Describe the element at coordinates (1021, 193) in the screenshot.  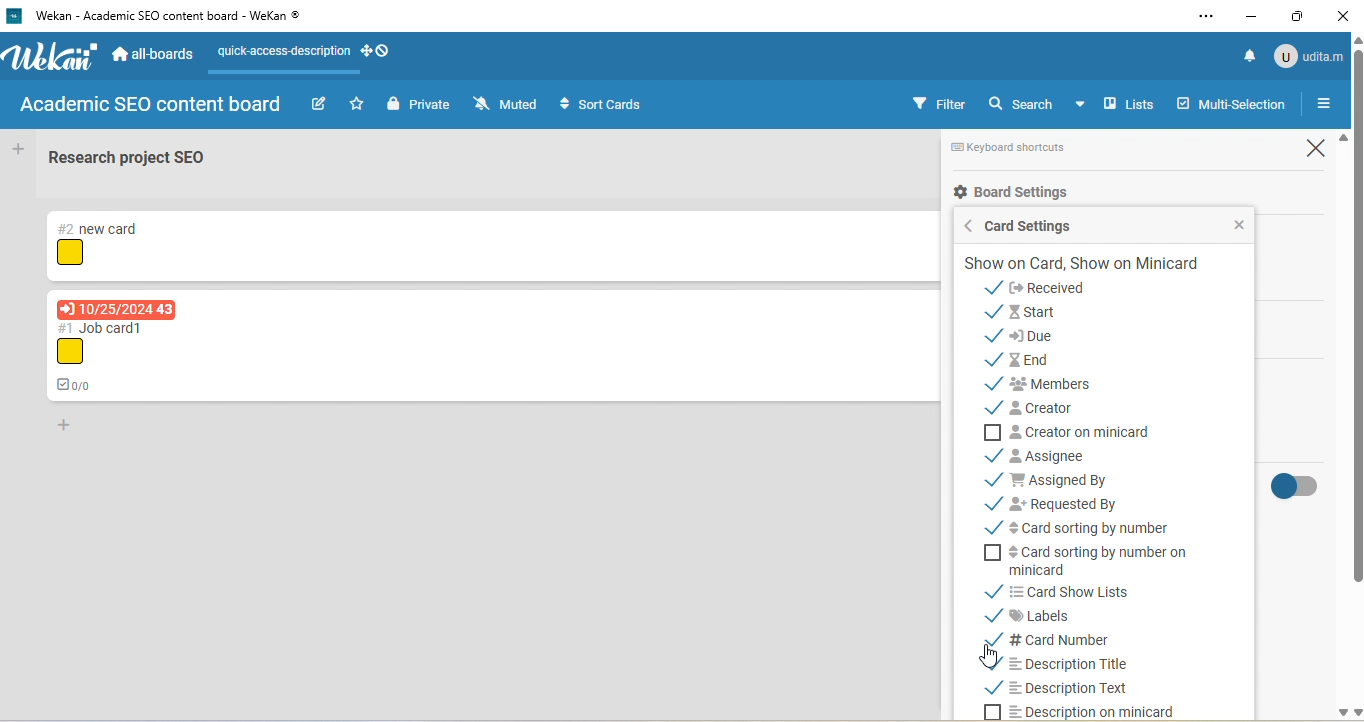
I see `board settings` at that location.